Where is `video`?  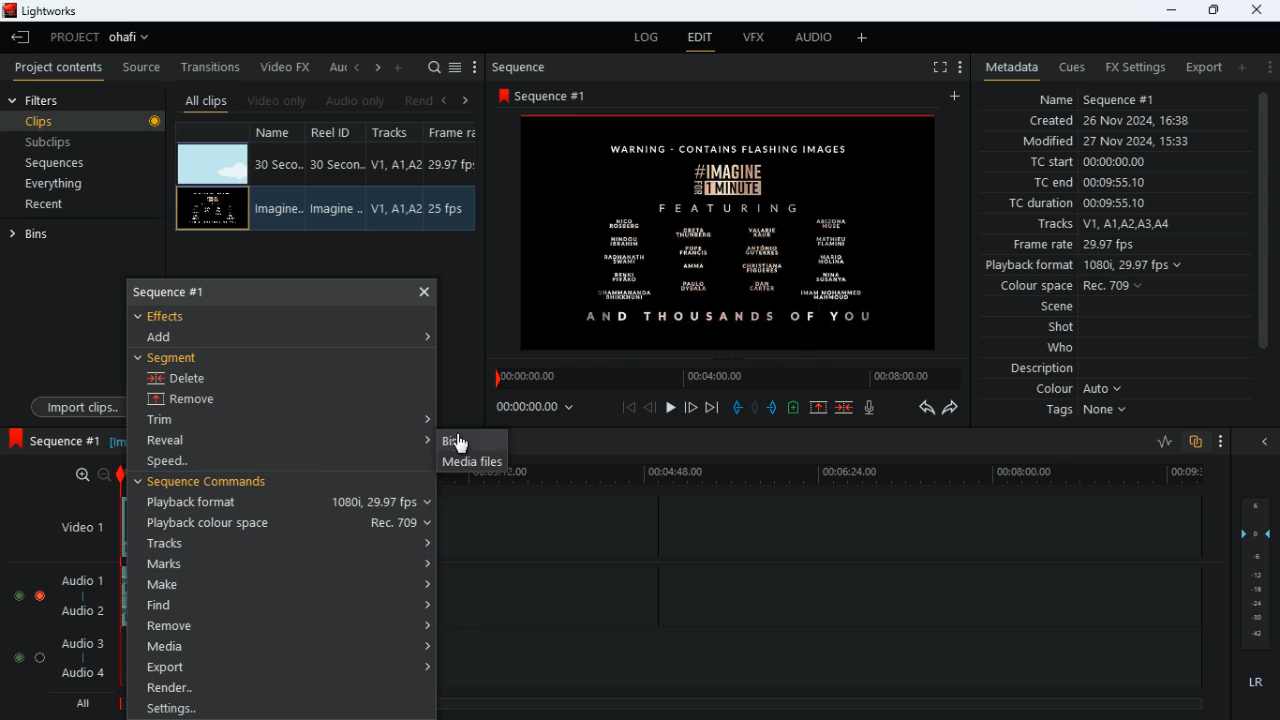 video is located at coordinates (213, 162).